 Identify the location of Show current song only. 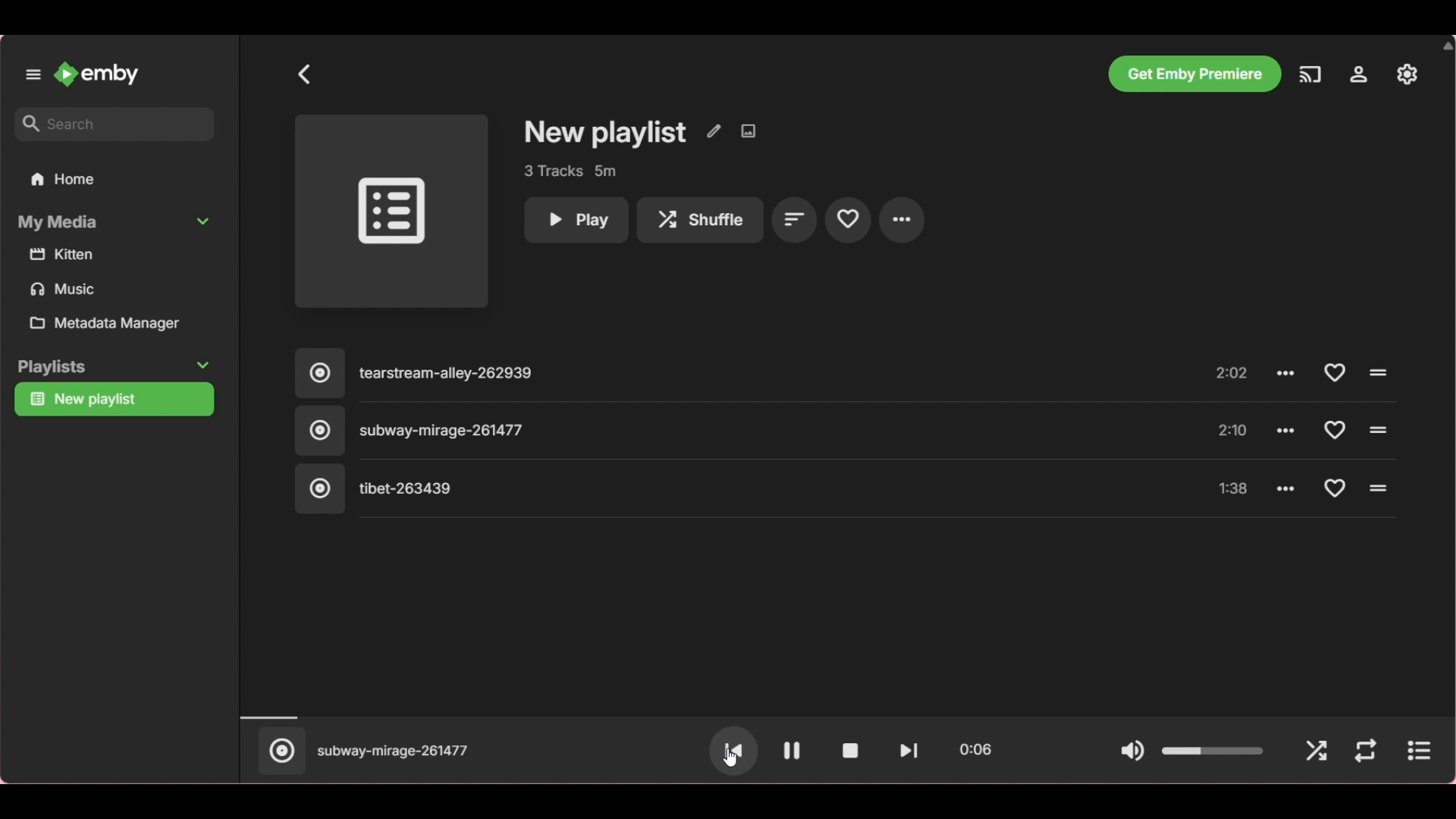
(1418, 751).